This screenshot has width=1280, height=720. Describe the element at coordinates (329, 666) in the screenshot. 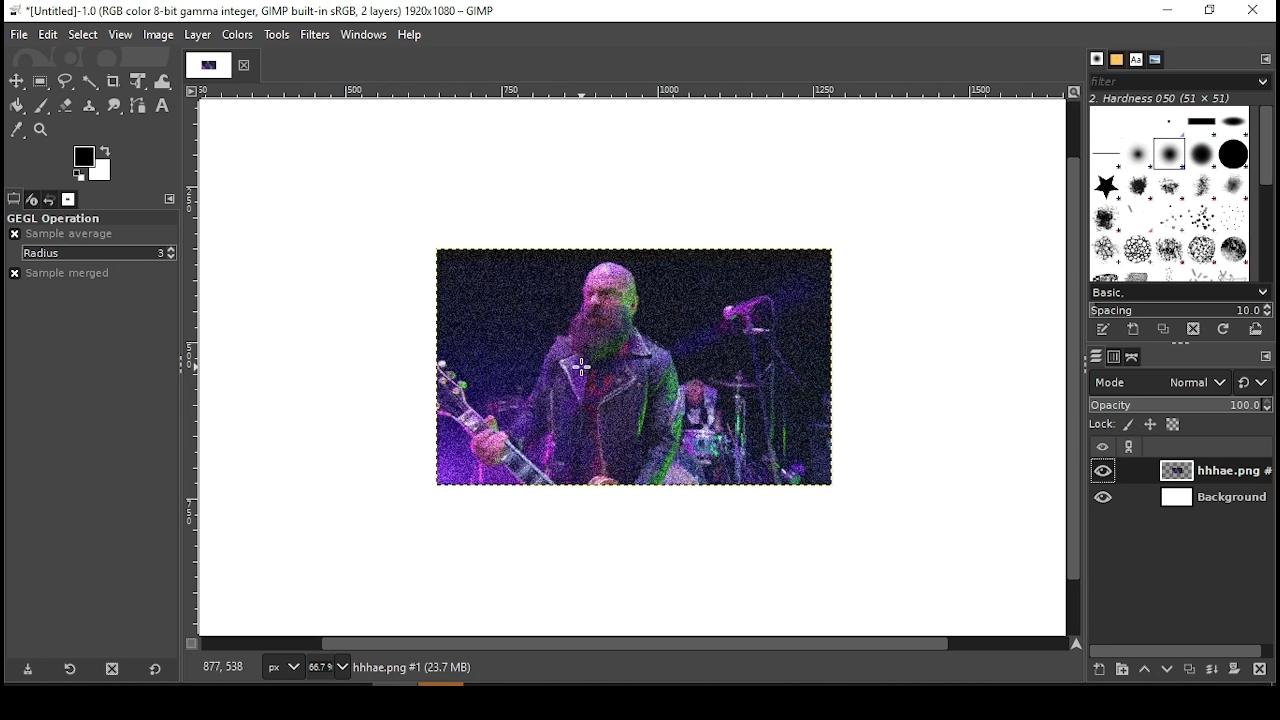

I see `zoom status` at that location.